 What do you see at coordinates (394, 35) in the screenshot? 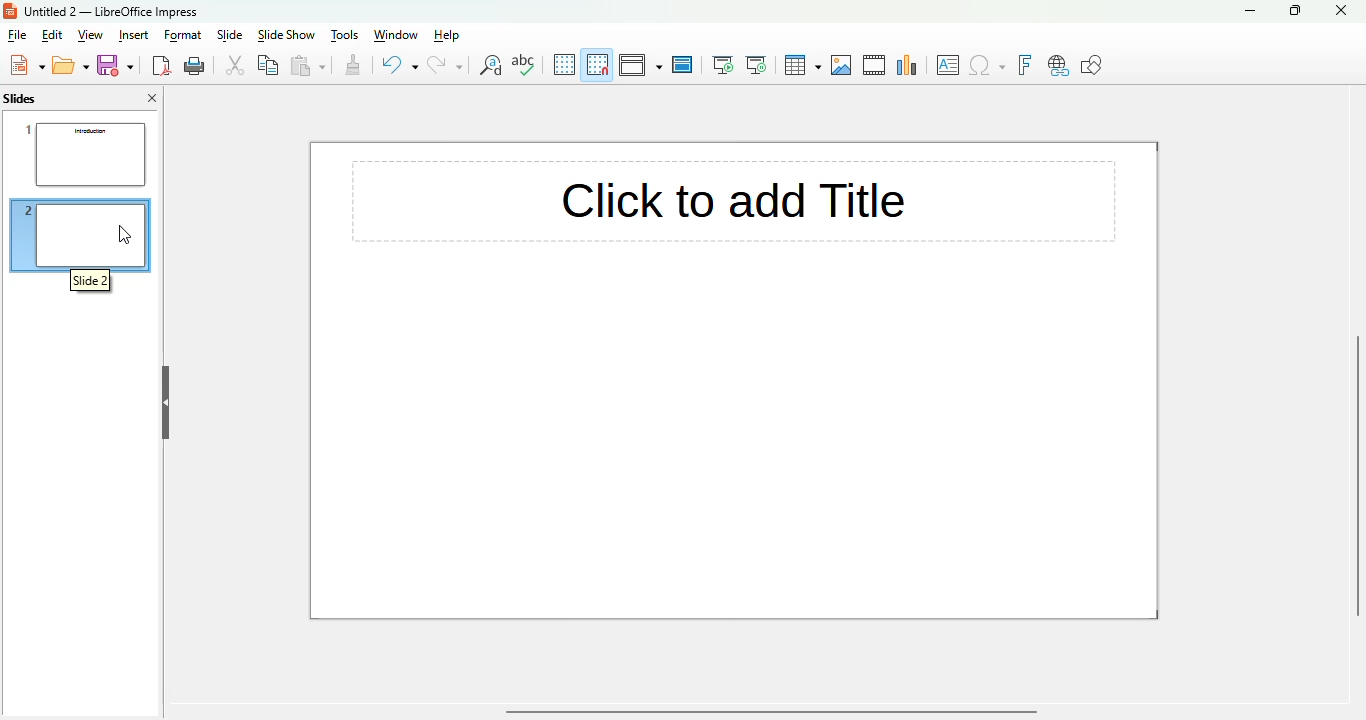
I see `window` at bounding box center [394, 35].